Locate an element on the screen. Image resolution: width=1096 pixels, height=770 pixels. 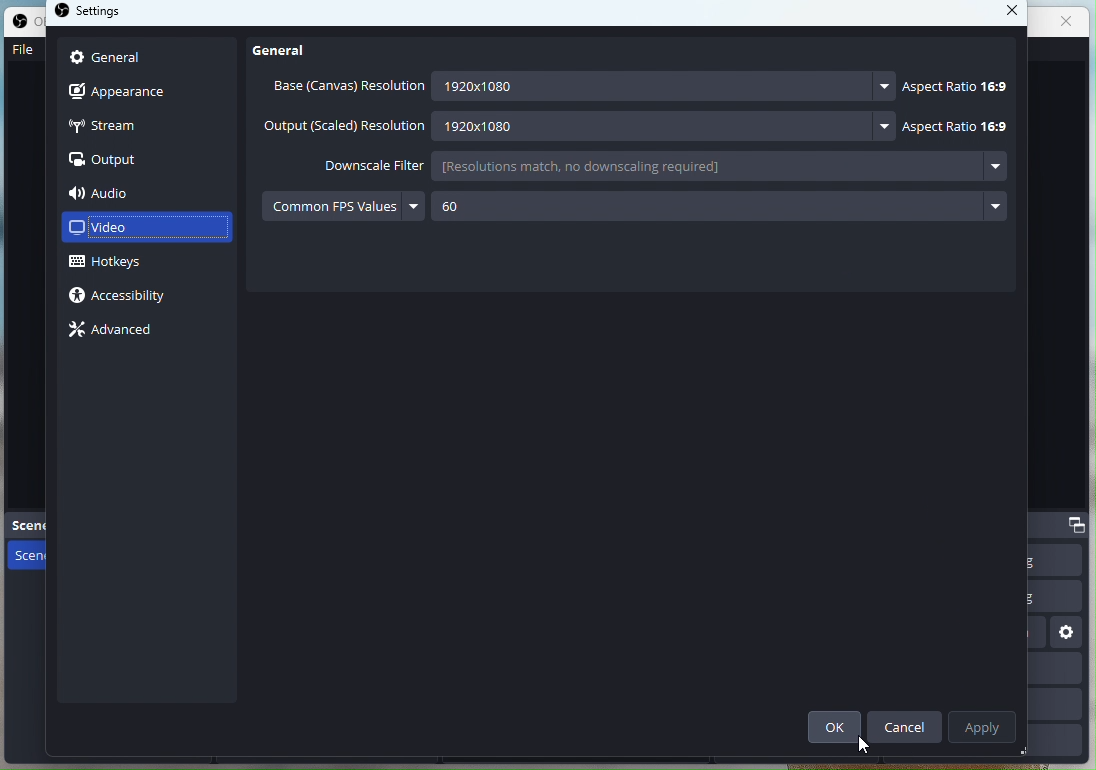
File is located at coordinates (22, 54).